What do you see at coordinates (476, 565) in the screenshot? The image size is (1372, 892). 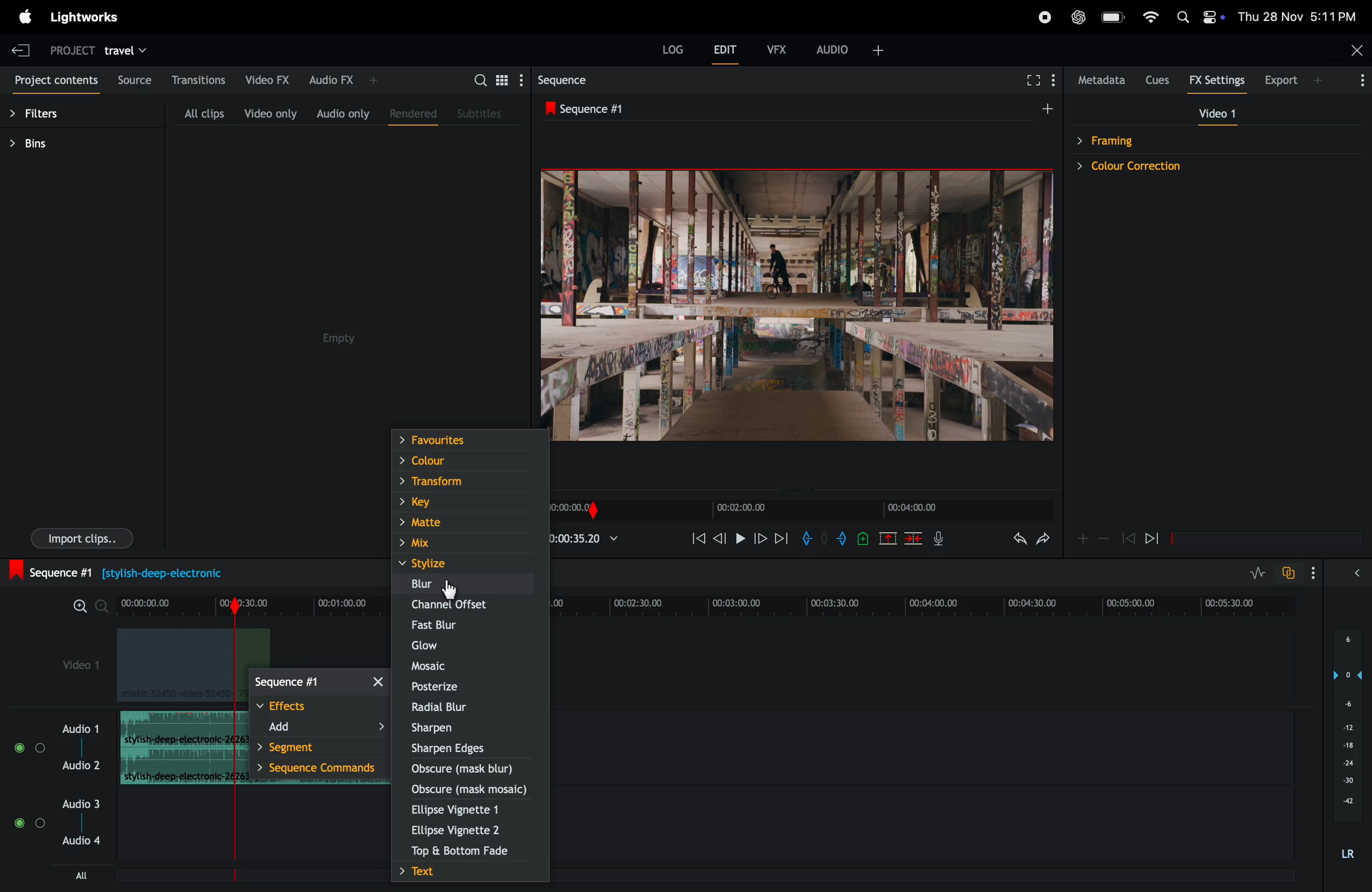 I see `stylize` at bounding box center [476, 565].